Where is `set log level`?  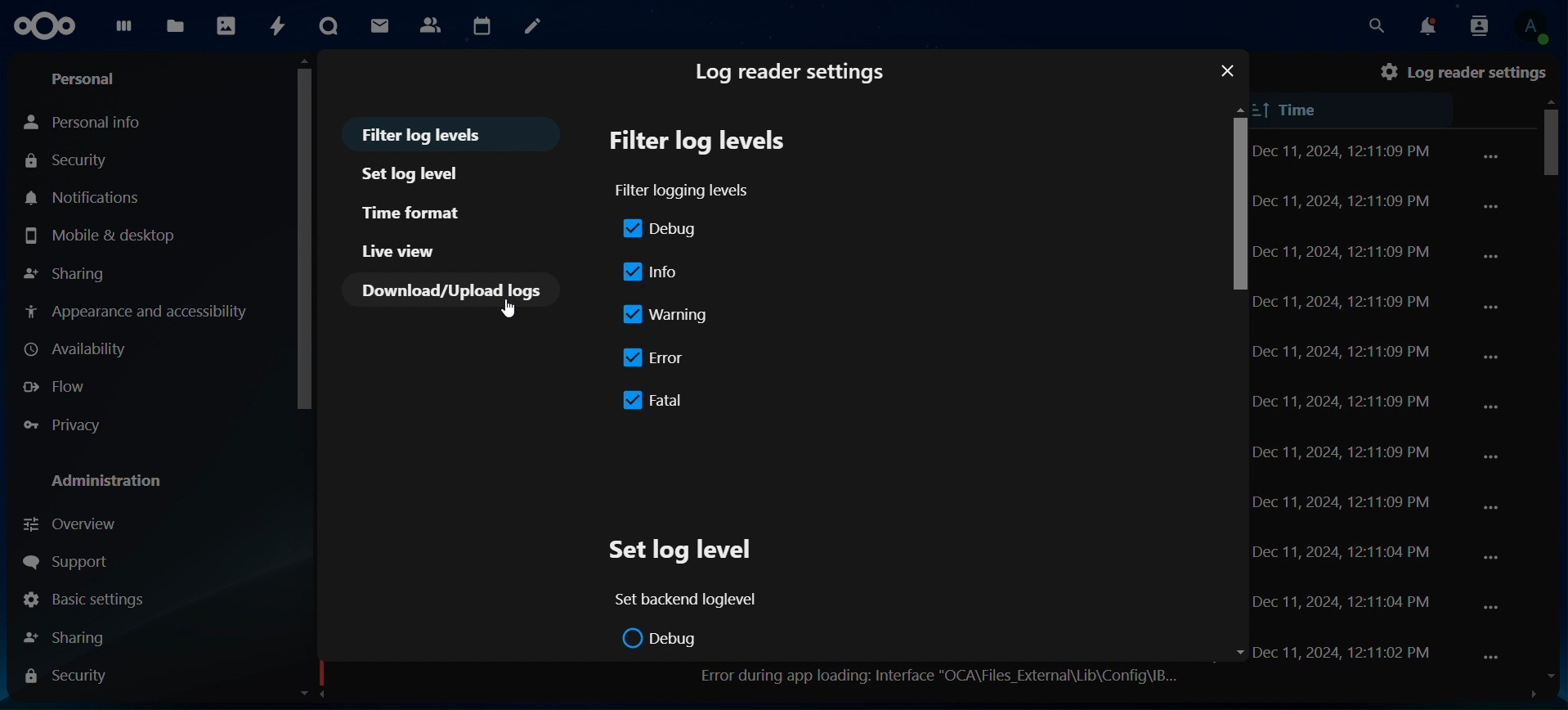
set log level is located at coordinates (424, 174).